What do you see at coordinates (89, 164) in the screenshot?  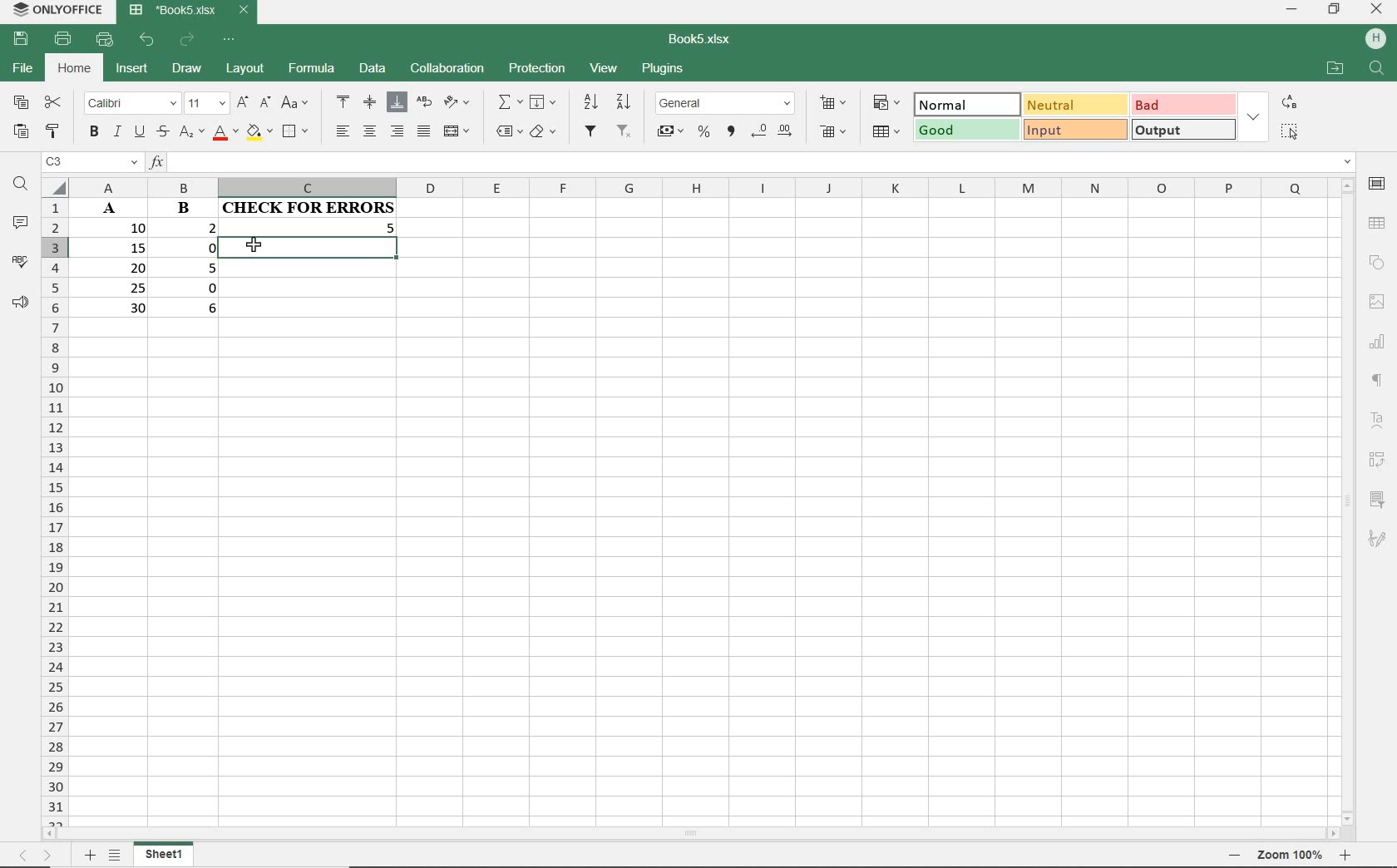 I see `NAME MANAGER` at bounding box center [89, 164].